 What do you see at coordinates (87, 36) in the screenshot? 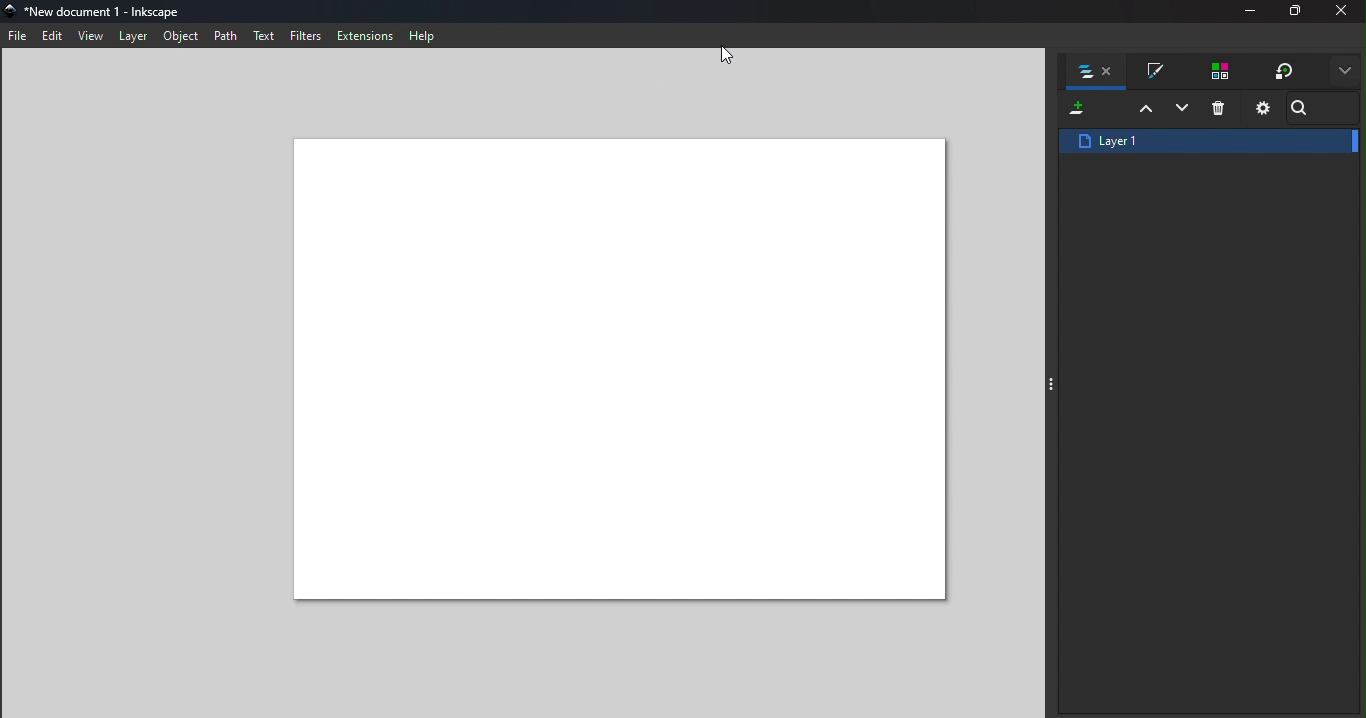
I see `View` at bounding box center [87, 36].